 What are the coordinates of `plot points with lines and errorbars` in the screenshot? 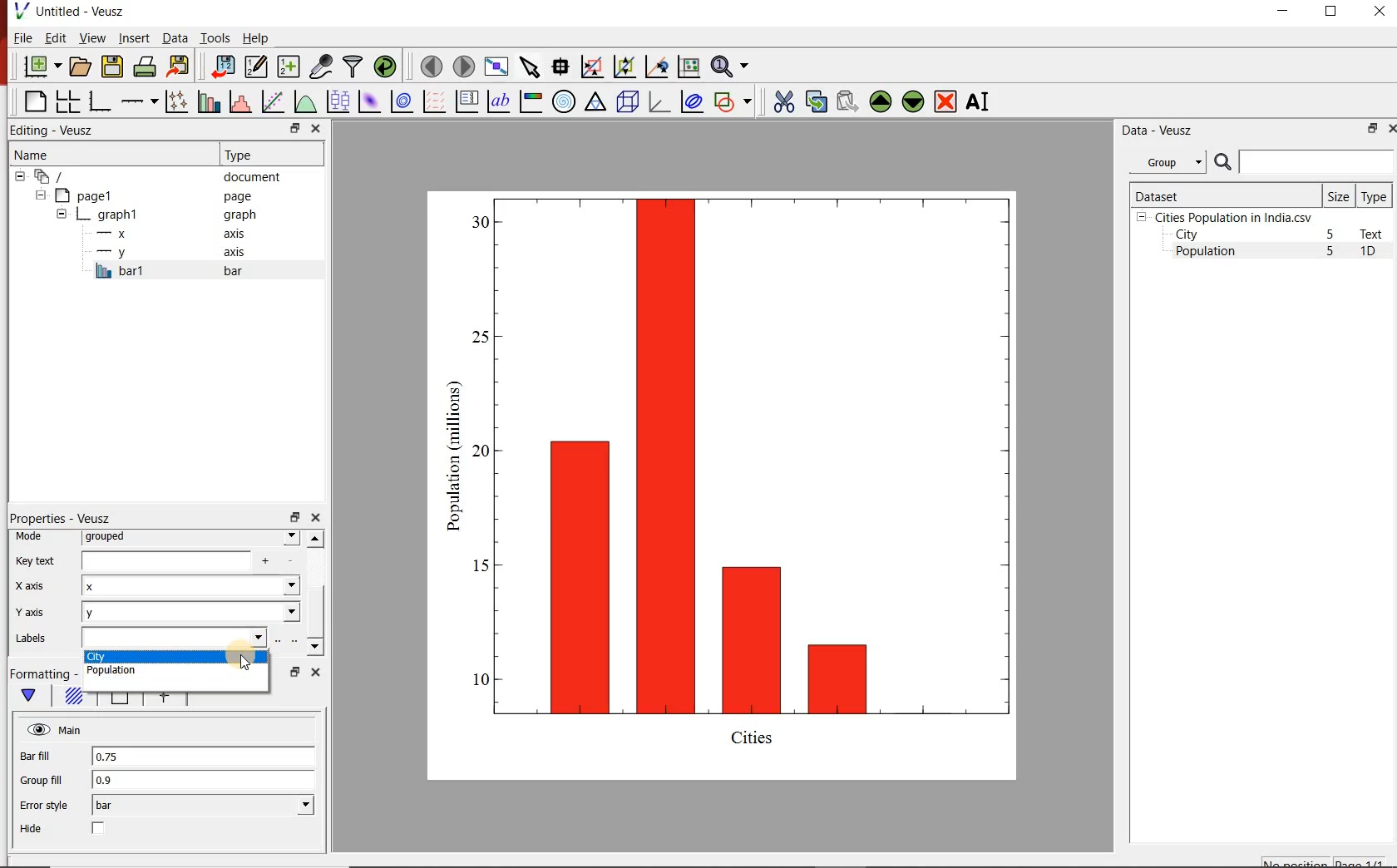 It's located at (174, 101).